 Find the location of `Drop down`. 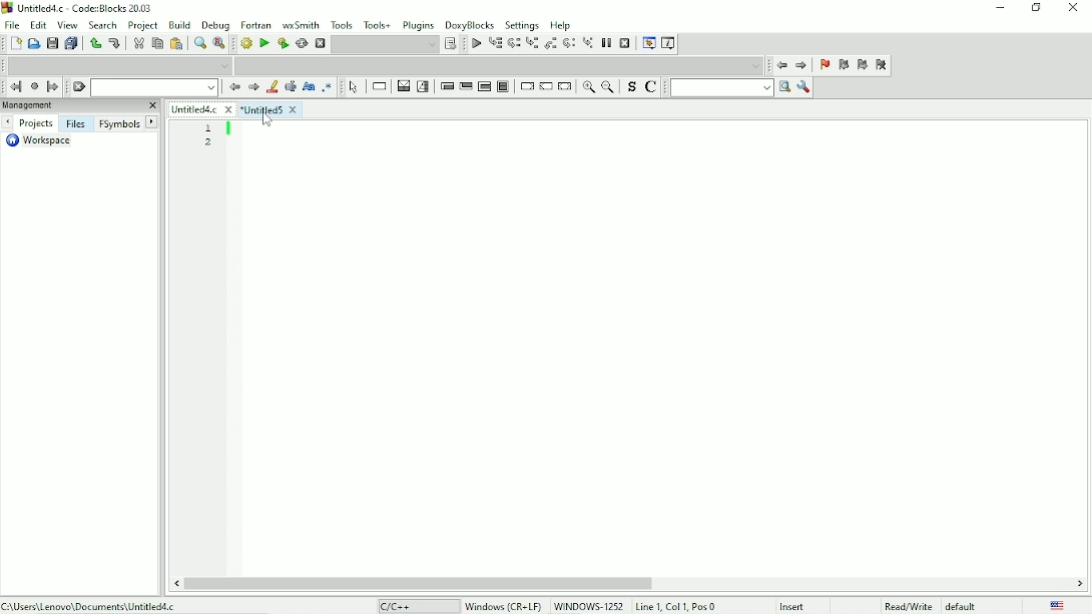

Drop down is located at coordinates (502, 66).